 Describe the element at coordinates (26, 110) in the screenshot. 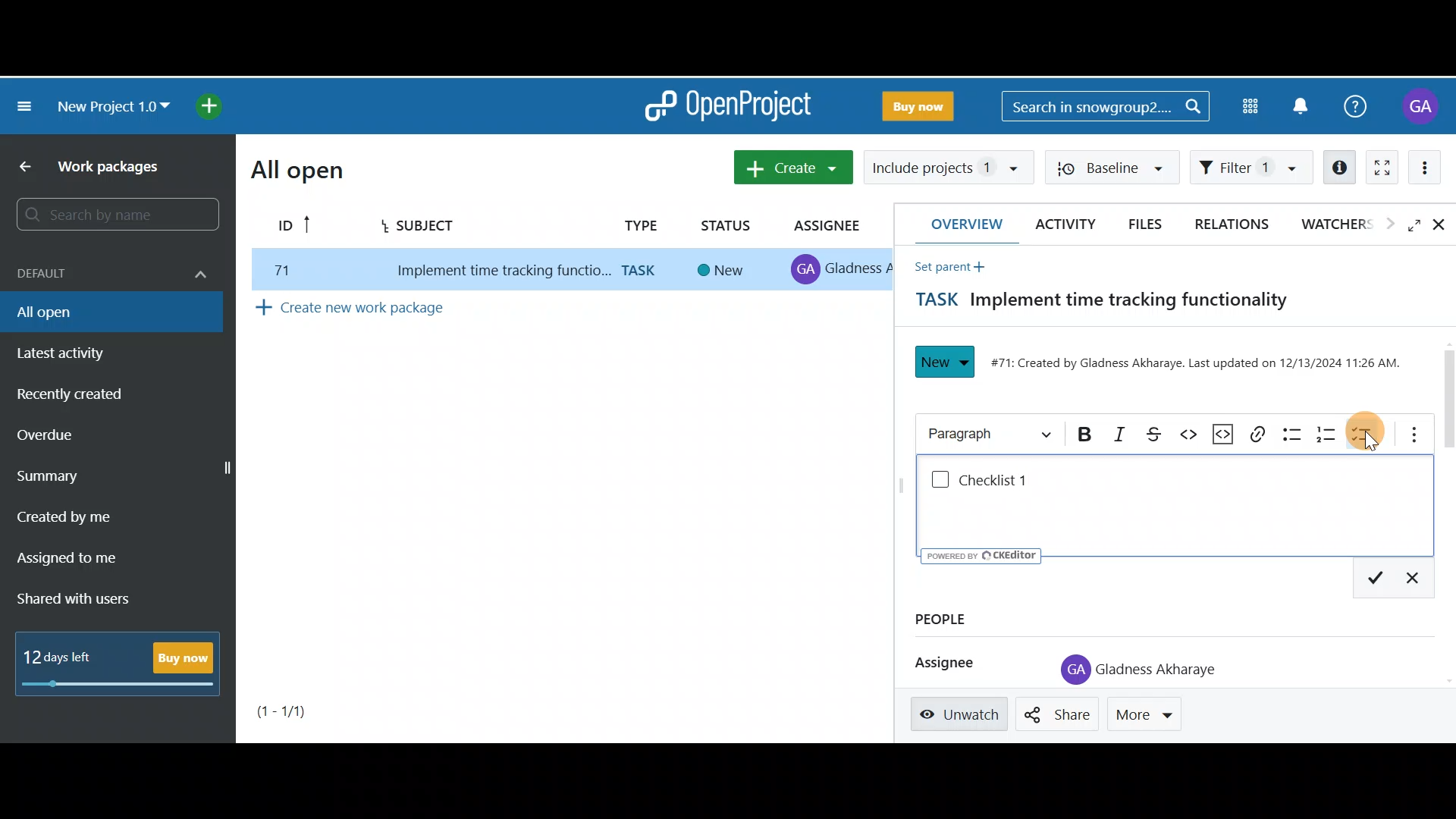

I see `Collapse project menu` at that location.